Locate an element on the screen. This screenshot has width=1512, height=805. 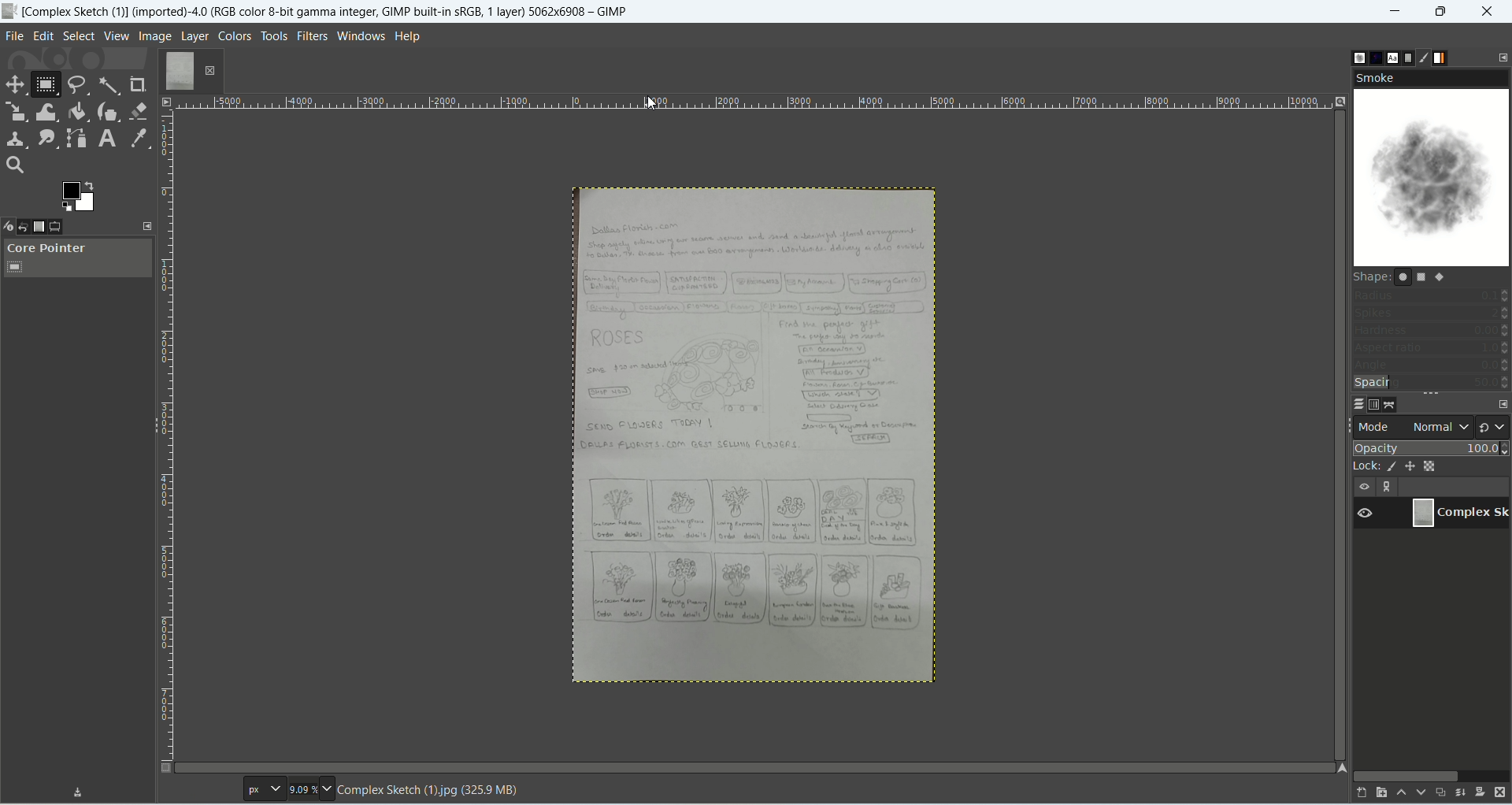
bucket fill is located at coordinates (76, 113).